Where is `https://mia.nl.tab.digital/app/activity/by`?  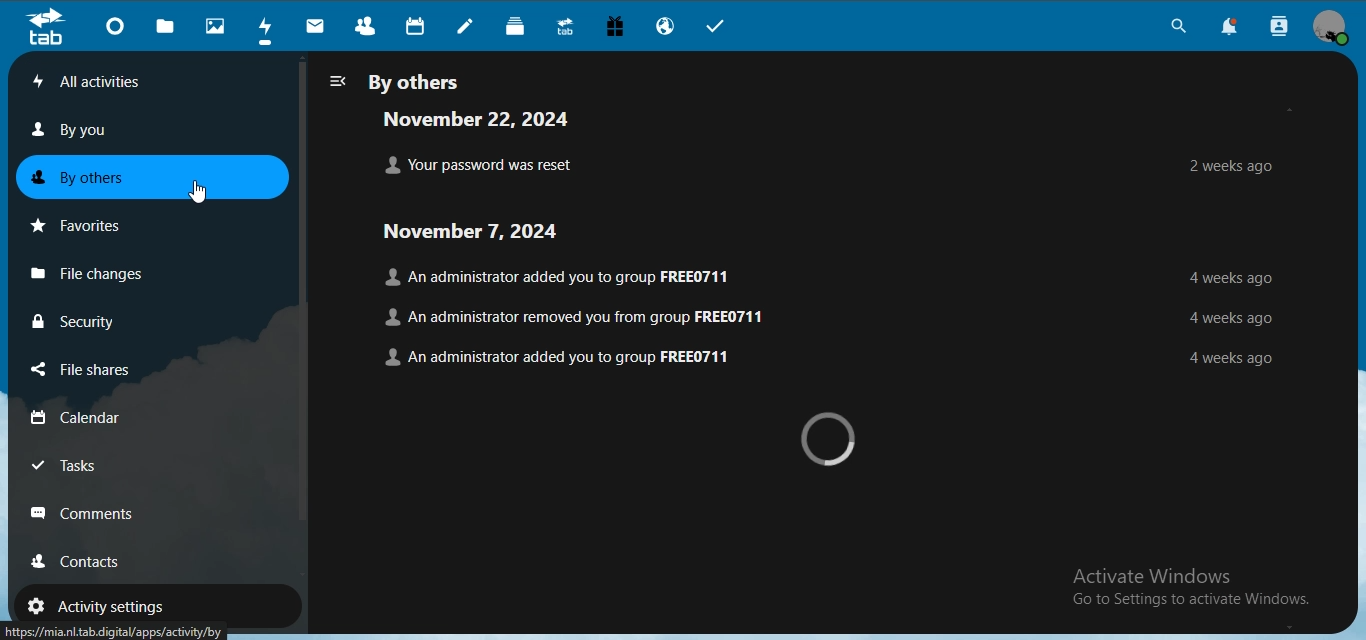 https://mia.nl.tab.digital/app/activity/by is located at coordinates (120, 629).